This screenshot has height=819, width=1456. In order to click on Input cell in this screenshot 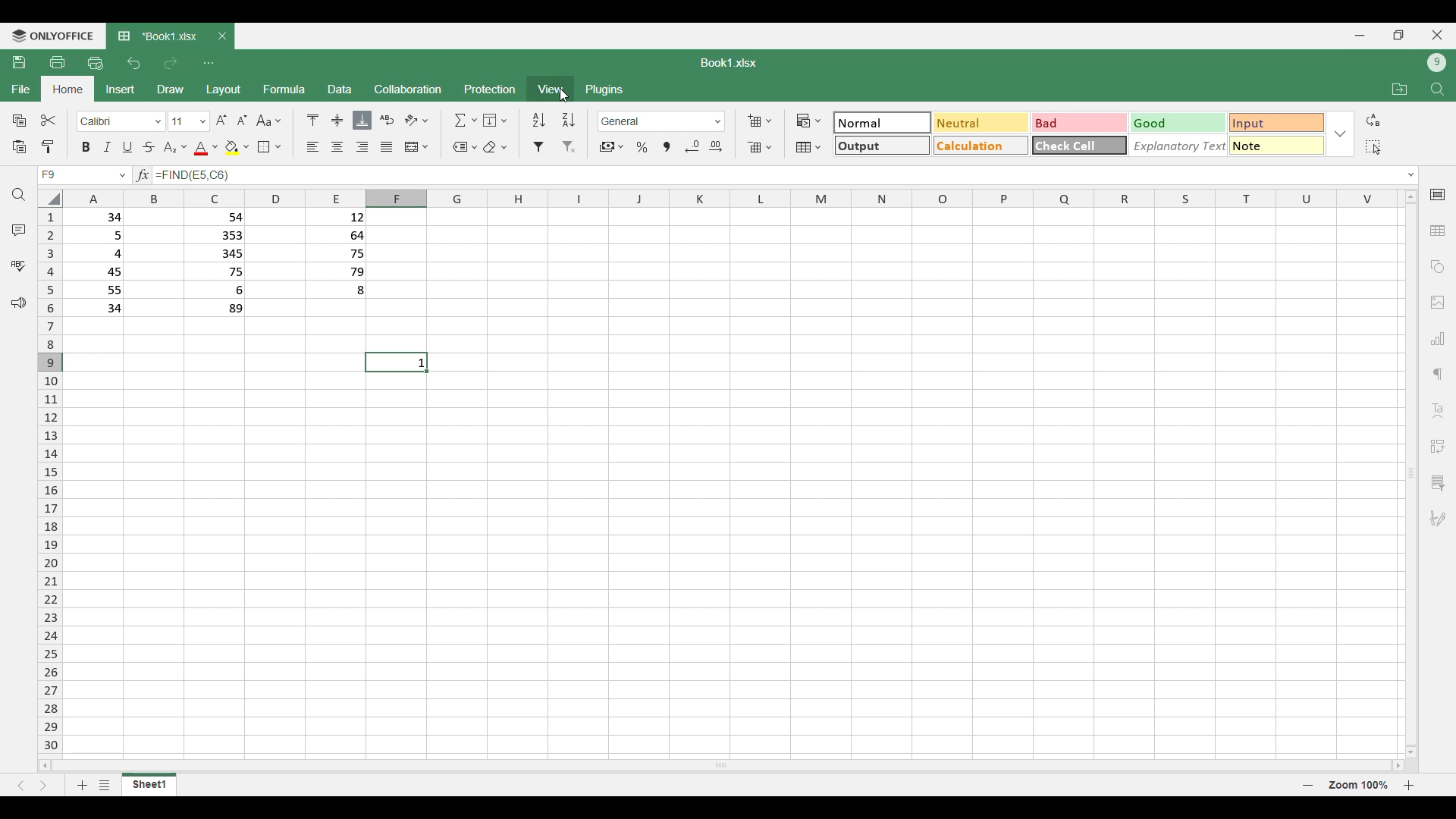, I will do `click(1278, 123)`.